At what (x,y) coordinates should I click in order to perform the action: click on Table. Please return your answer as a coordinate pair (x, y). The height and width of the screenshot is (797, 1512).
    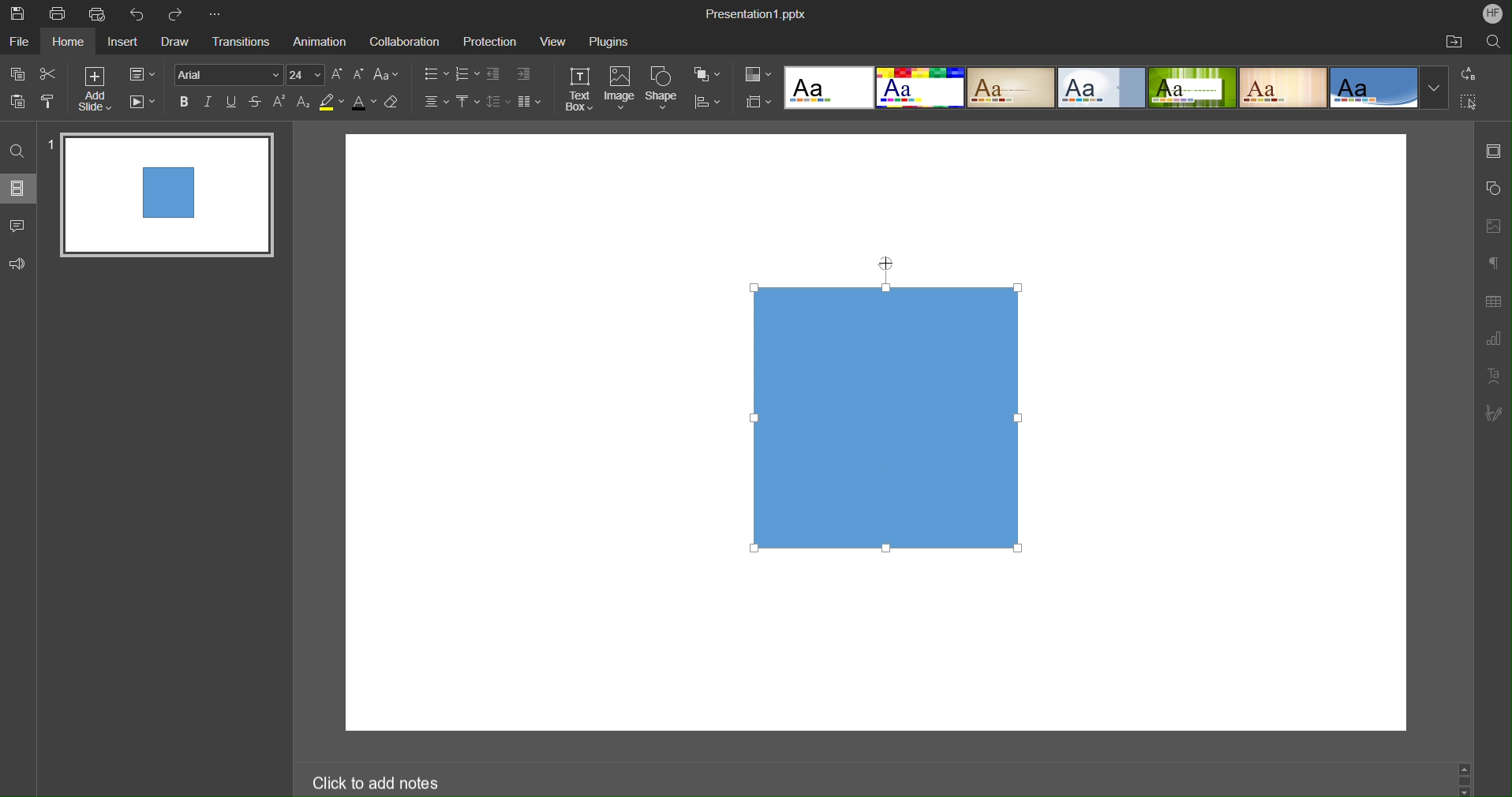
    Looking at the image, I should click on (1494, 301).